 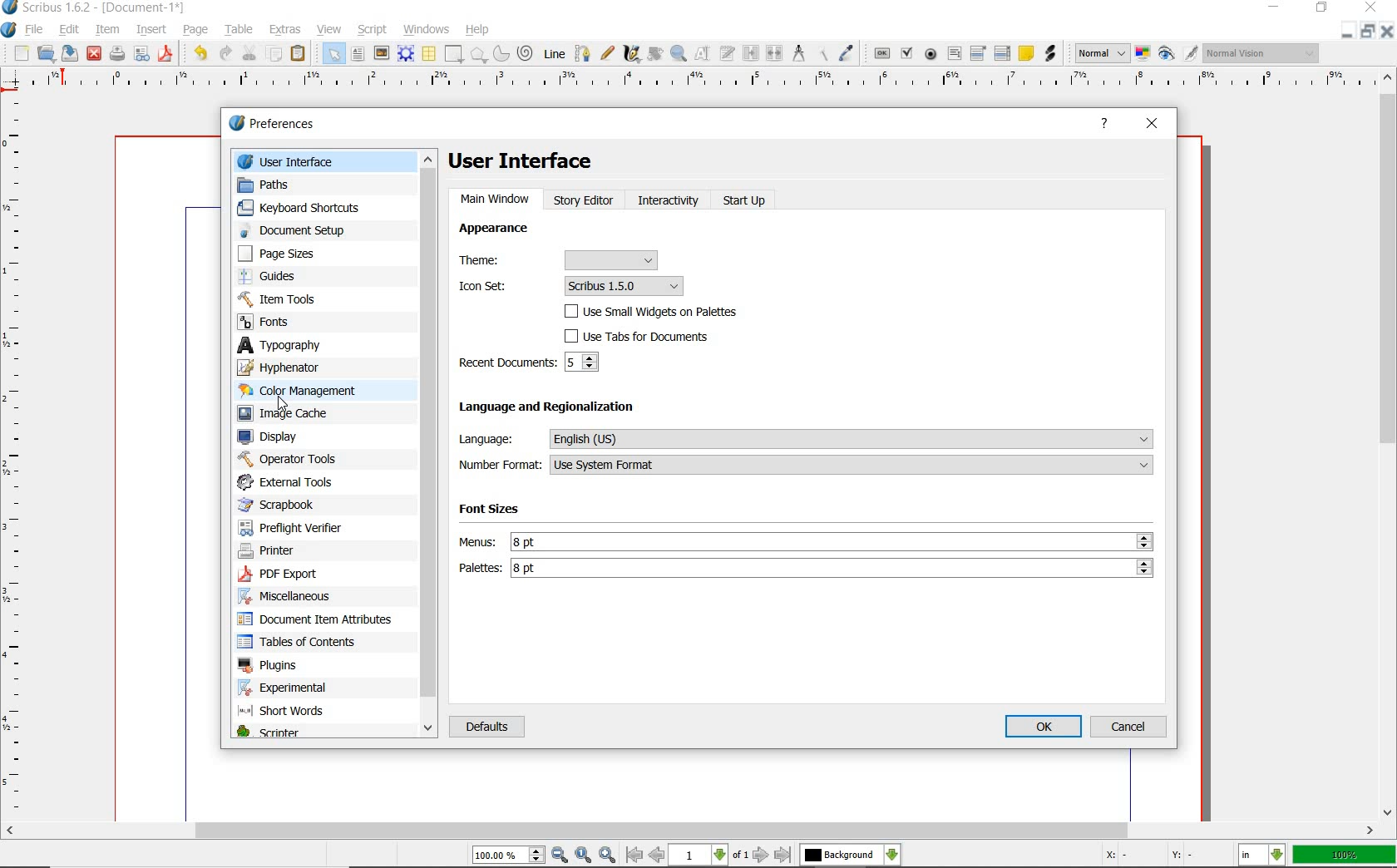 I want to click on preflight verifier, so click(x=304, y=527).